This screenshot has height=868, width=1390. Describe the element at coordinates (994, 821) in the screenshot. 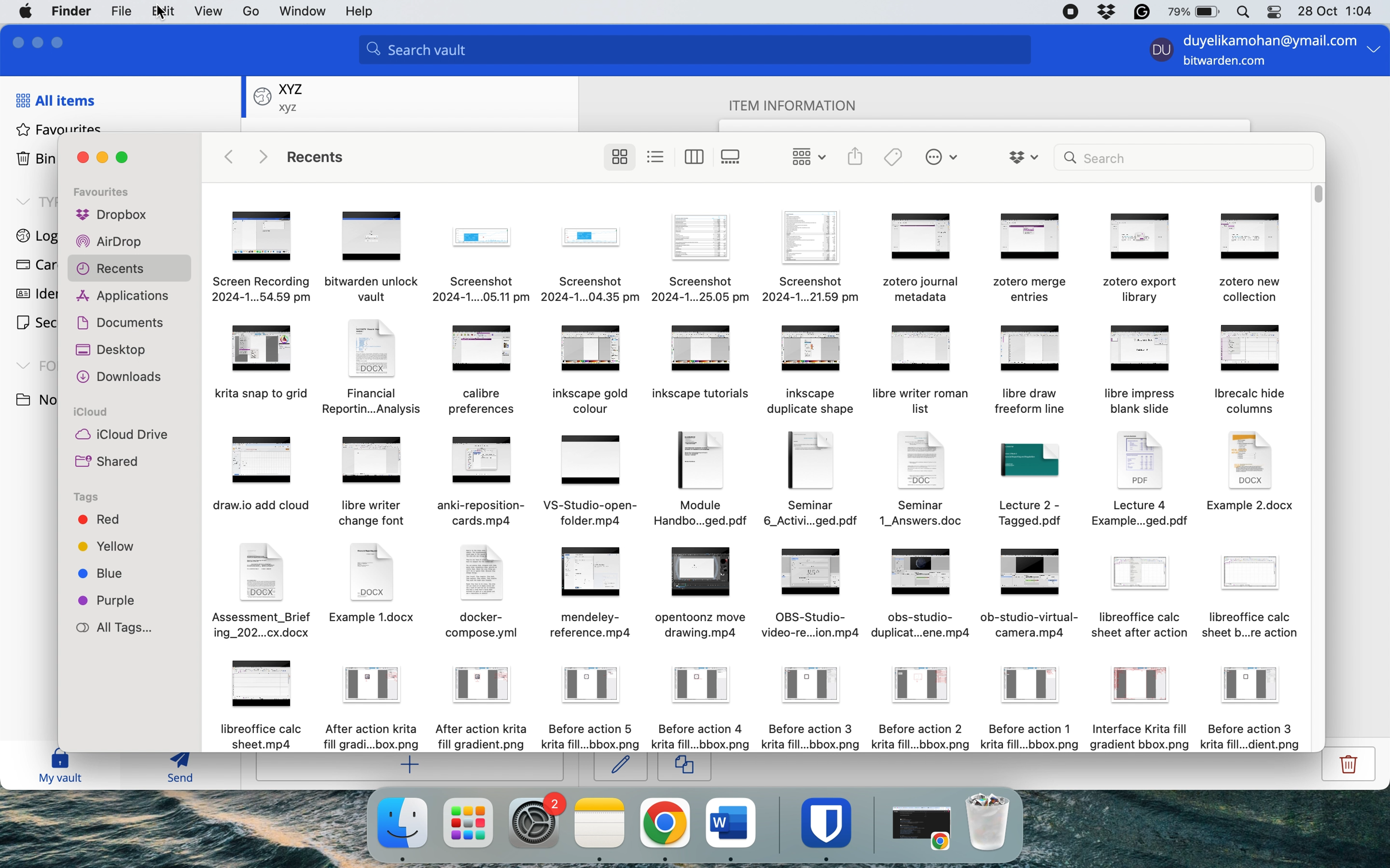

I see `bin` at that location.